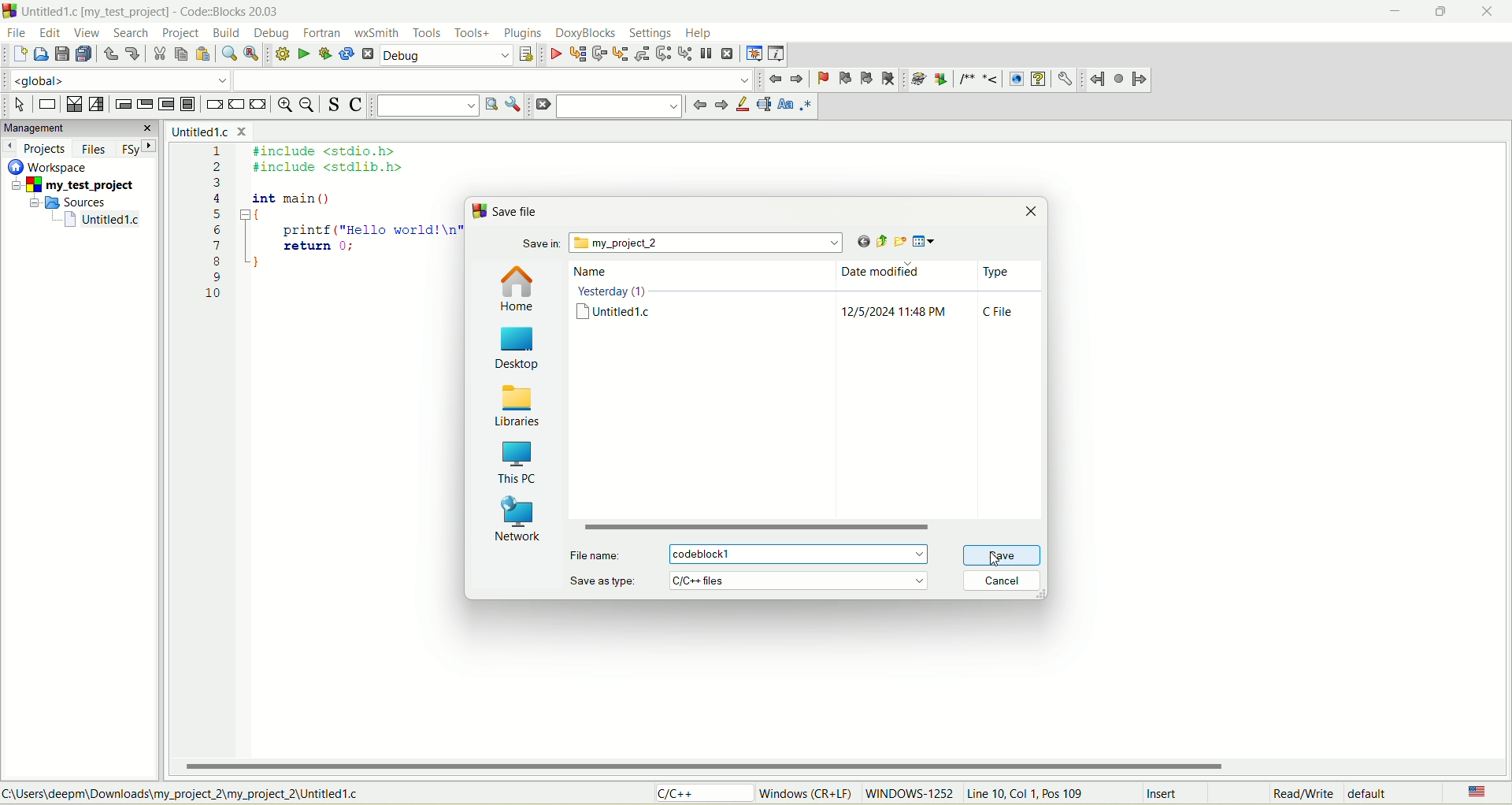 The width and height of the screenshot is (1512, 805). What do you see at coordinates (46, 105) in the screenshot?
I see `instruction` at bounding box center [46, 105].